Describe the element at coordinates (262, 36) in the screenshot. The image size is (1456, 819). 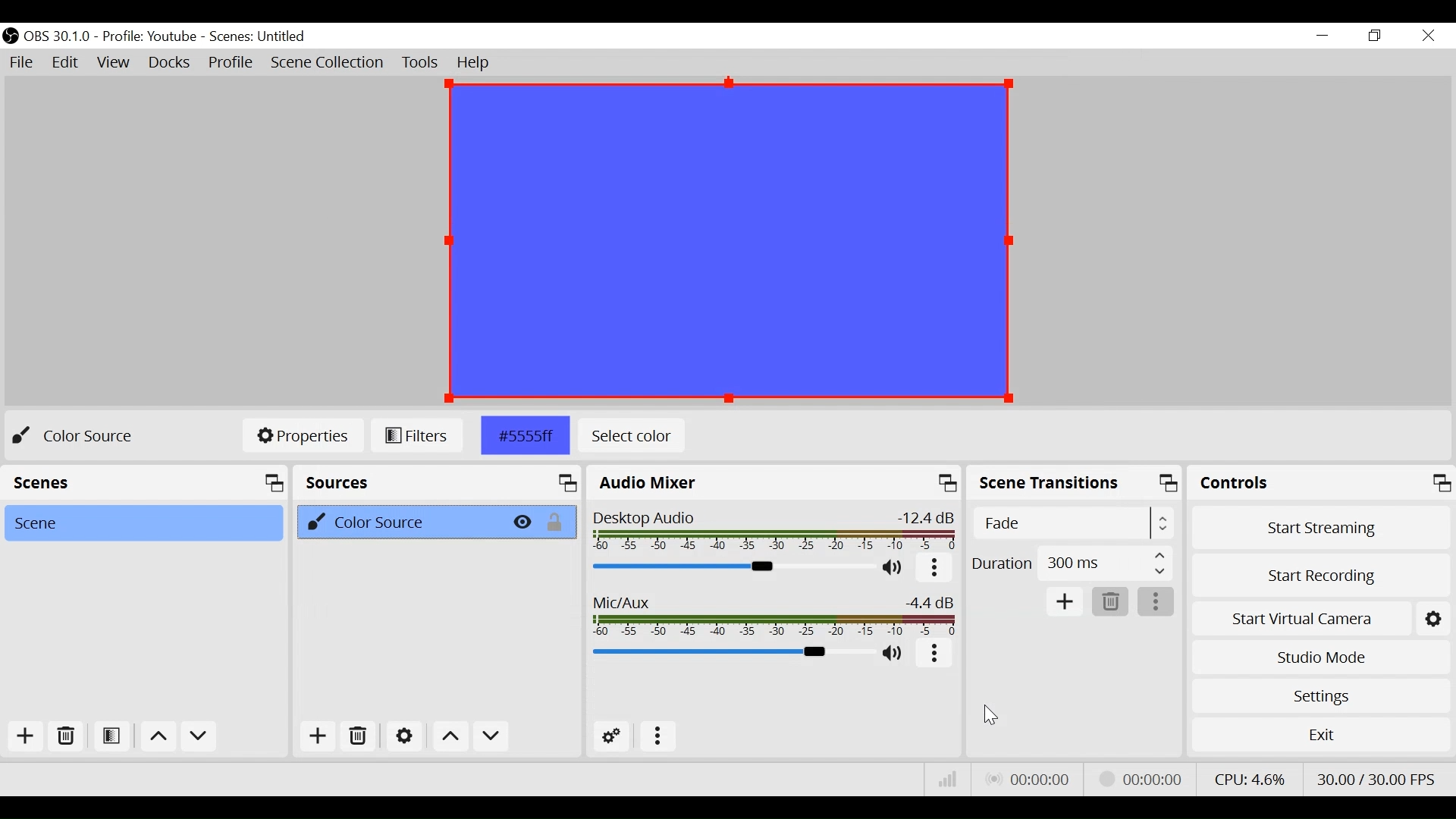
I see `Scenes` at that location.